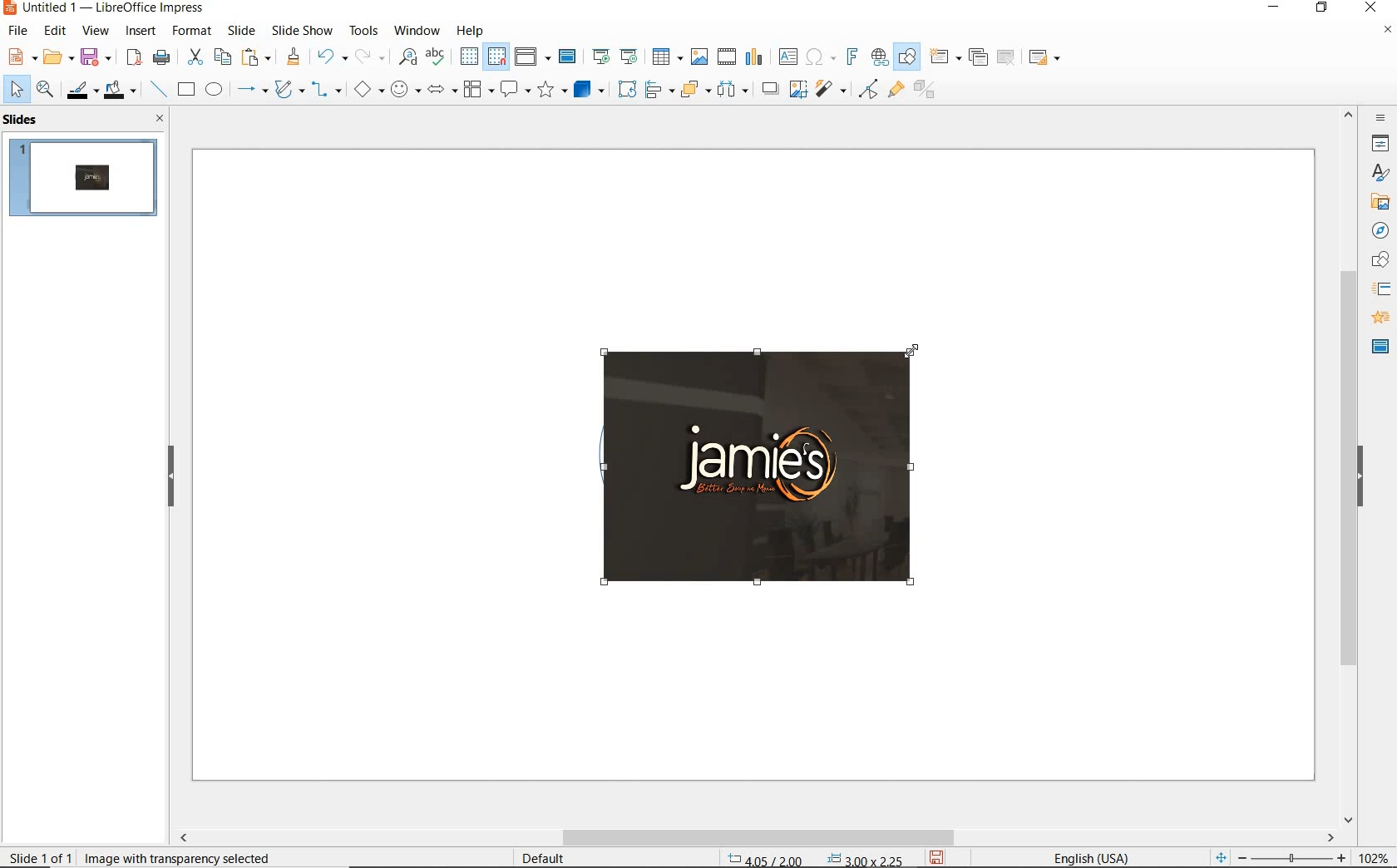 This screenshot has width=1397, height=868. I want to click on image with transparency selected, so click(183, 856).